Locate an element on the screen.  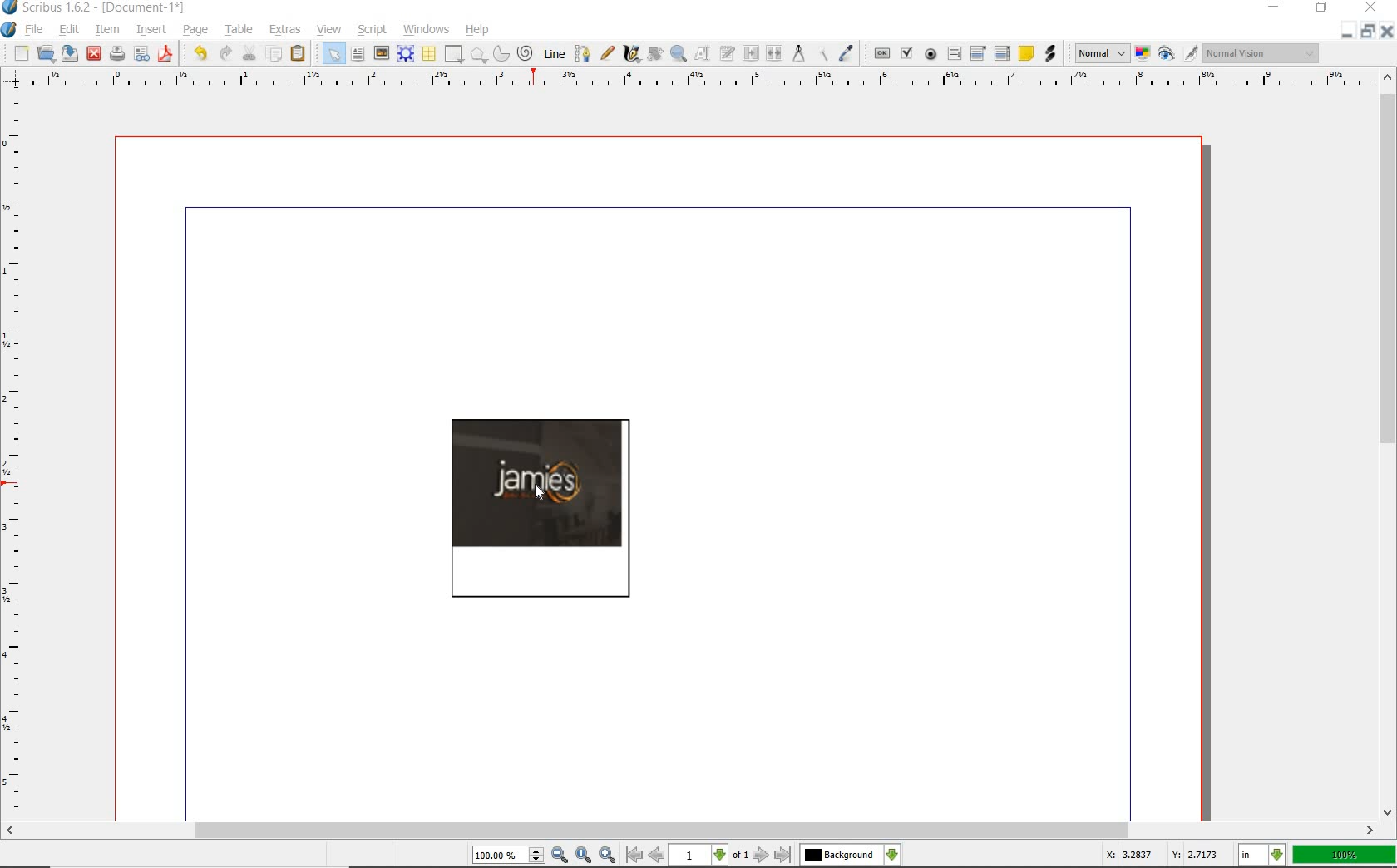
select the current unit is located at coordinates (1263, 856).